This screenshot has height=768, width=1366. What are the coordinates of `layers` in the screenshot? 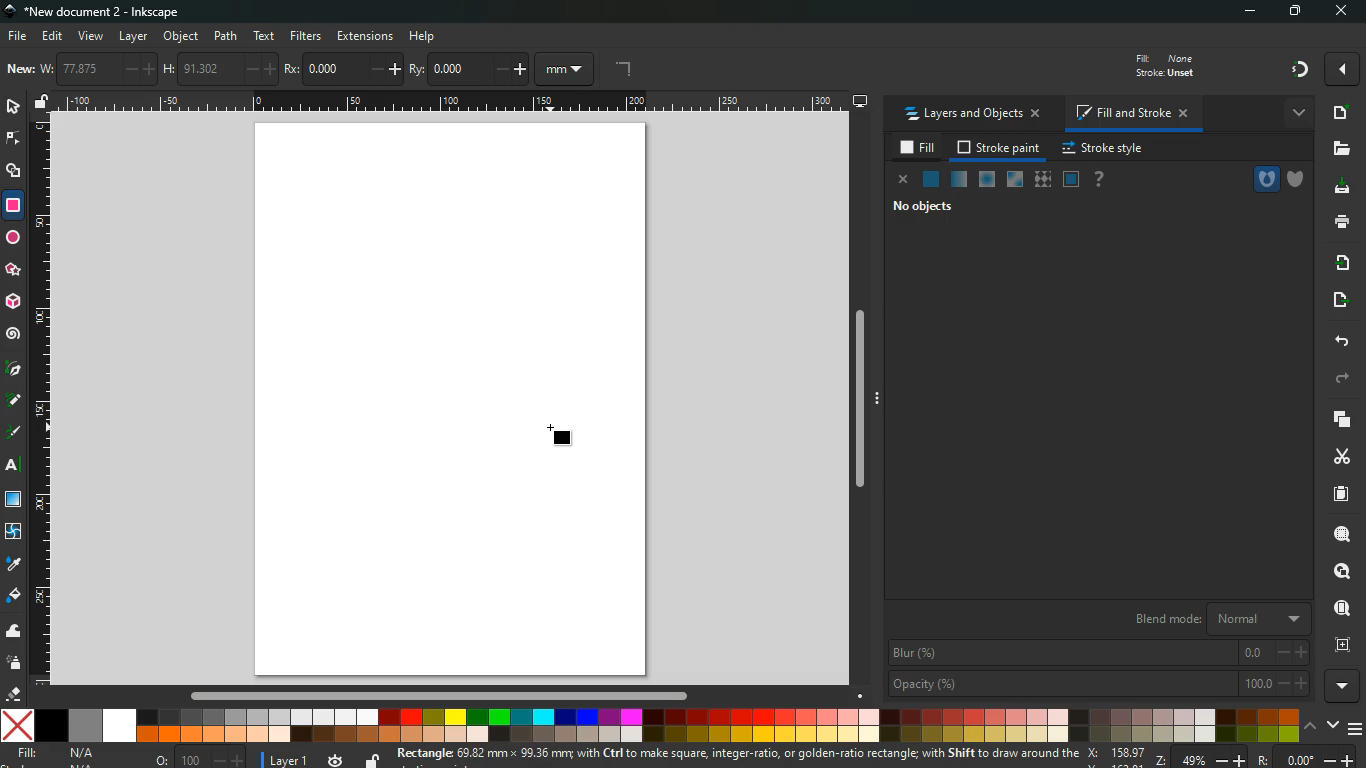 It's located at (1344, 421).